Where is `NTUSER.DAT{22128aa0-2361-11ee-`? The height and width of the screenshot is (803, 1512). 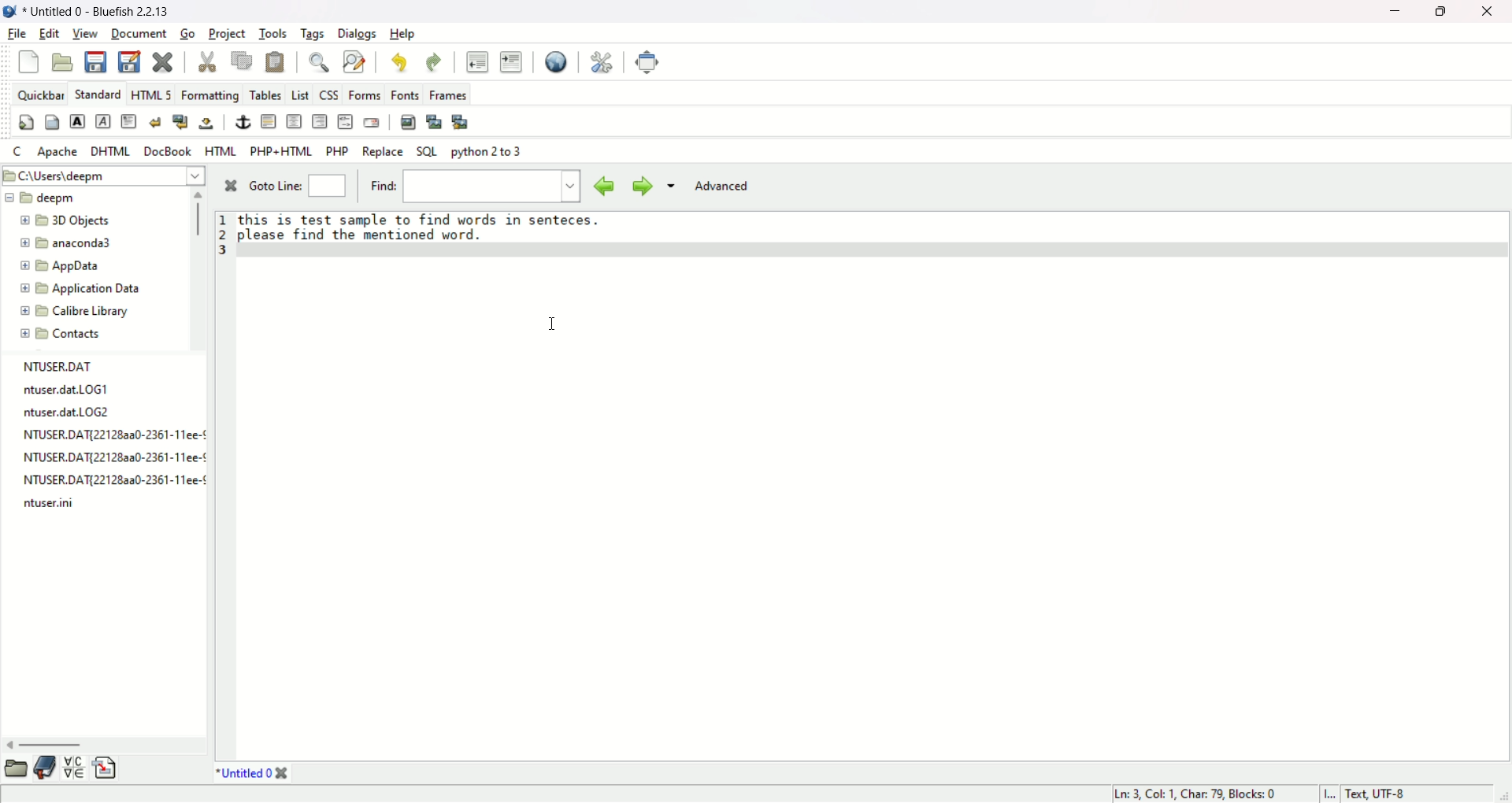
NTUSER.DAT{22128aa0-2361-11ee- is located at coordinates (103, 458).